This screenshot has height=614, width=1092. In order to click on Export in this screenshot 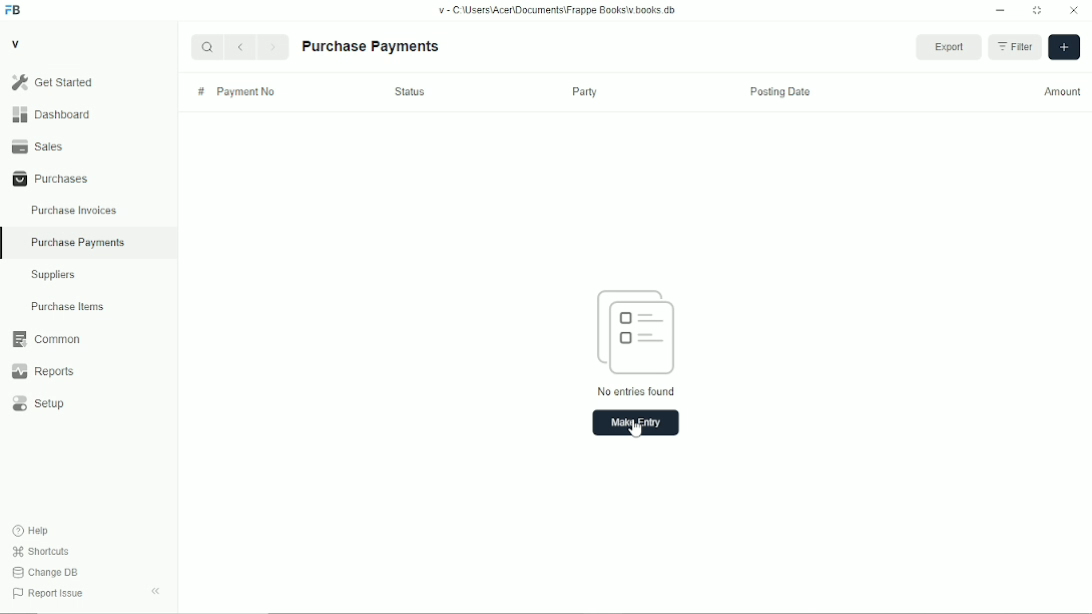, I will do `click(949, 47)`.